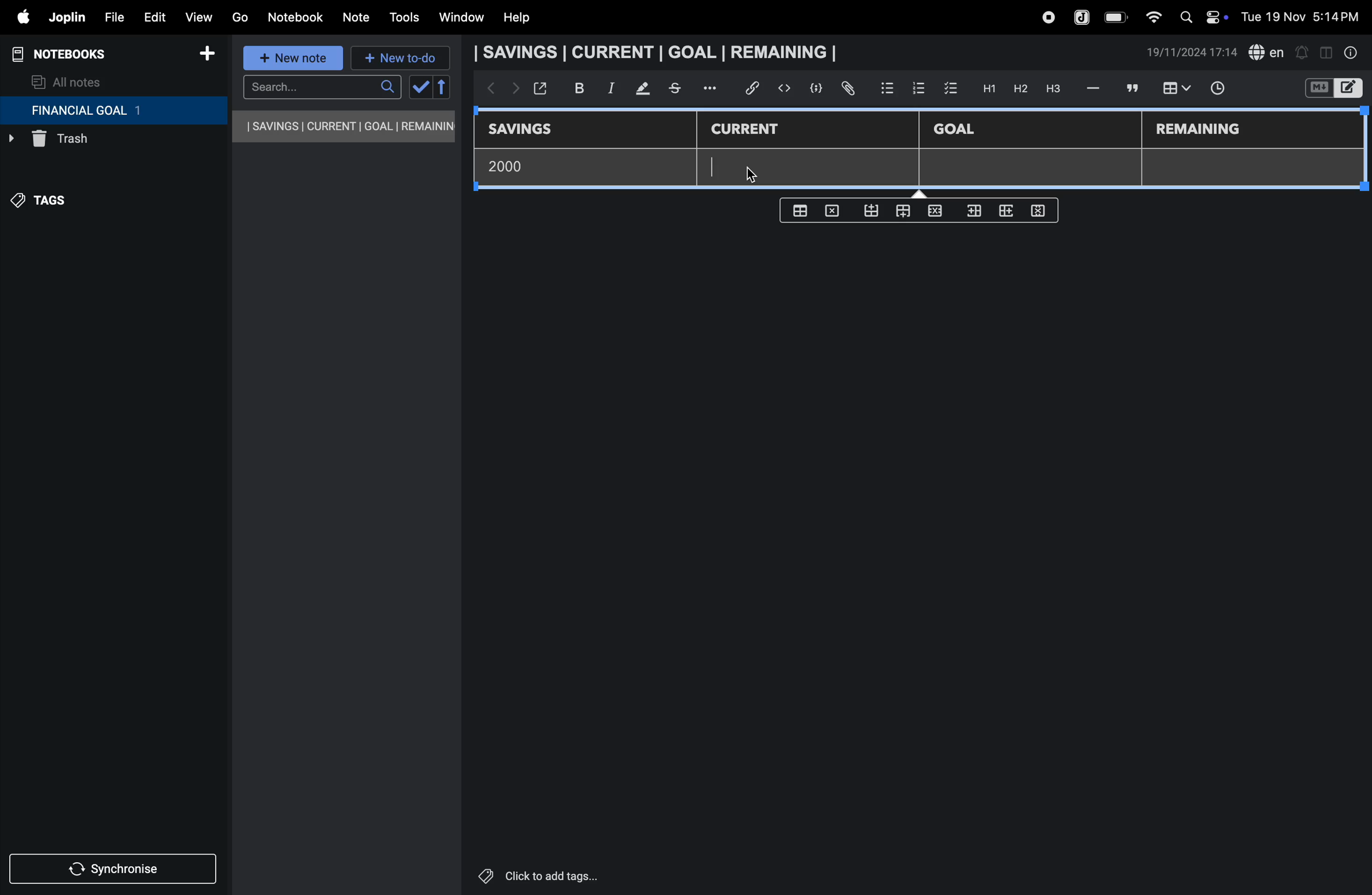 The width and height of the screenshot is (1372, 895). I want to click on add, so click(207, 55).